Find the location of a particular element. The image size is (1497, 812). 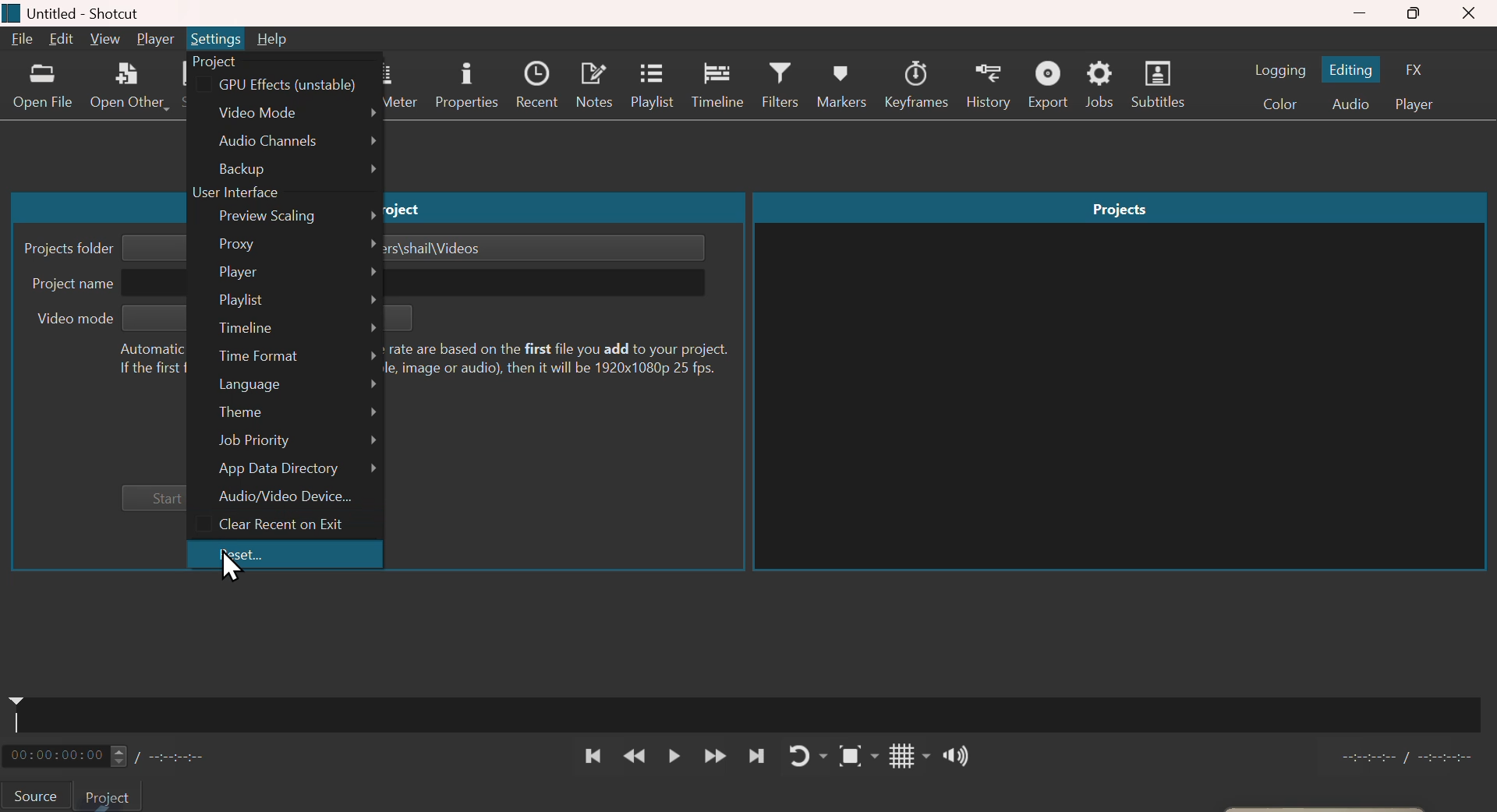

project name is located at coordinates (70, 288).